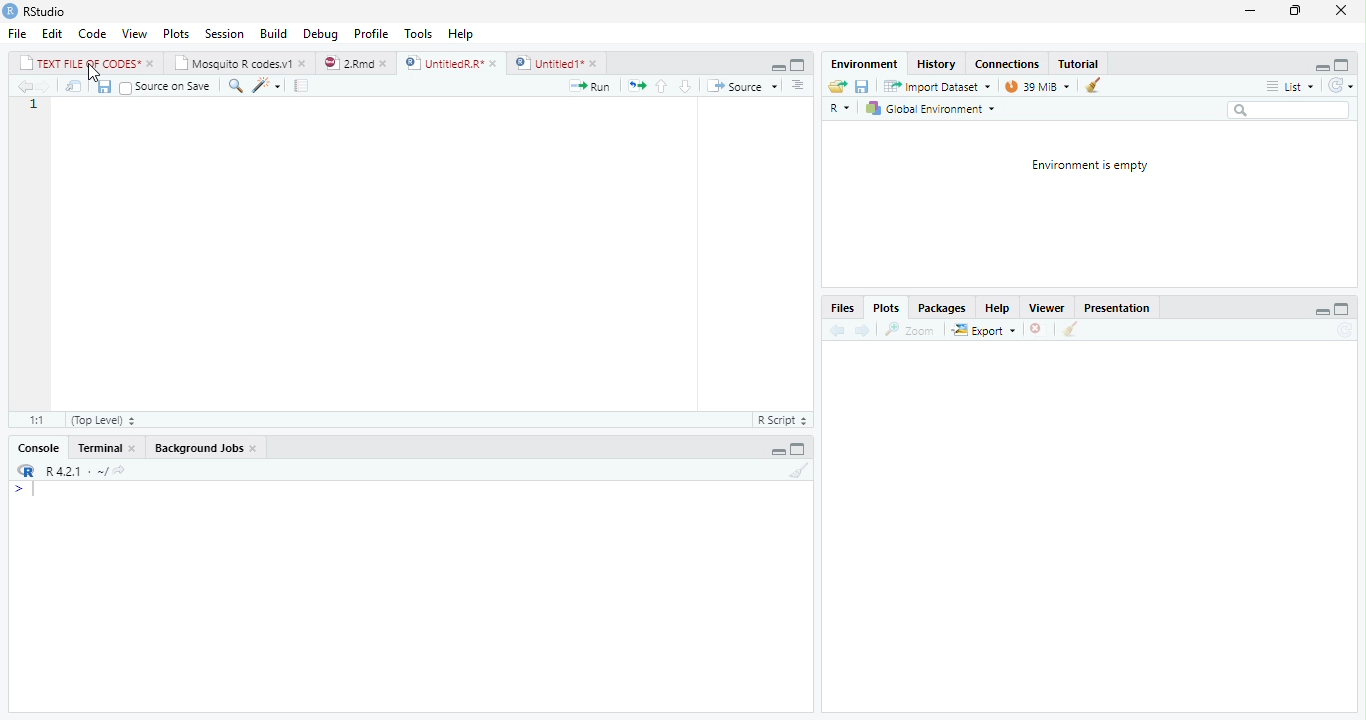 The width and height of the screenshot is (1366, 720). What do you see at coordinates (774, 65) in the screenshot?
I see `Minimize` at bounding box center [774, 65].